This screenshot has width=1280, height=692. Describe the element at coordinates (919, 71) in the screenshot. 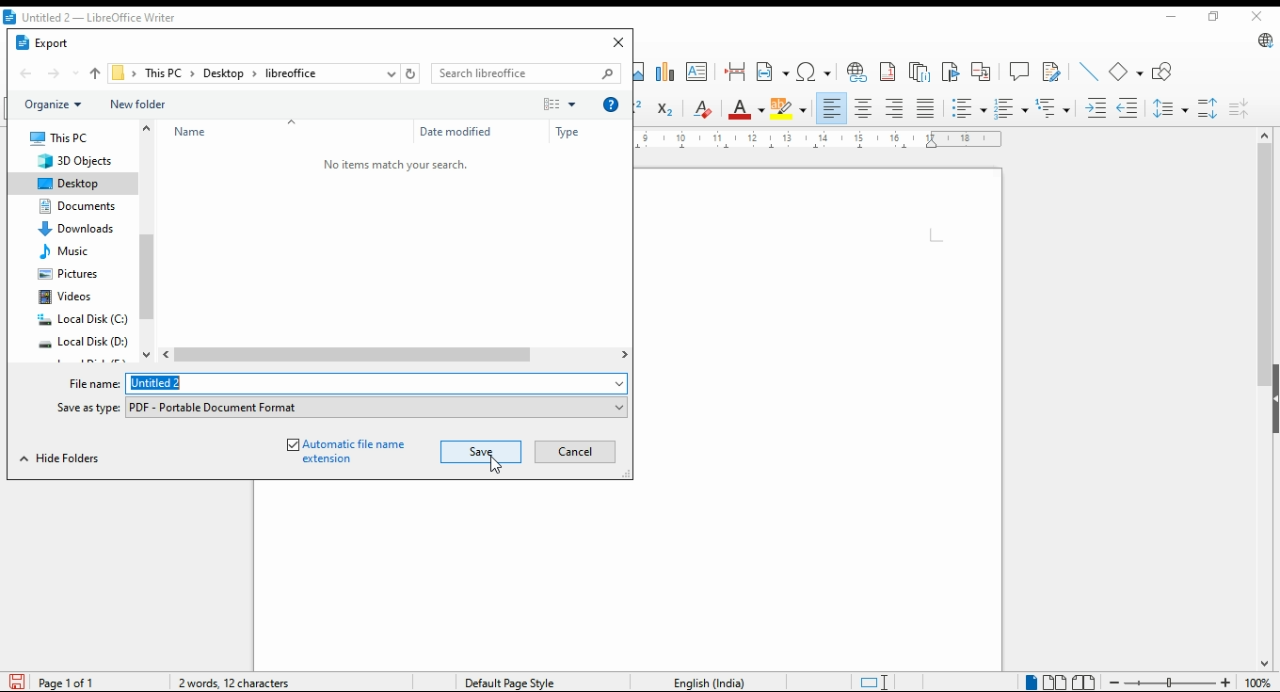

I see `insert endnote` at that location.